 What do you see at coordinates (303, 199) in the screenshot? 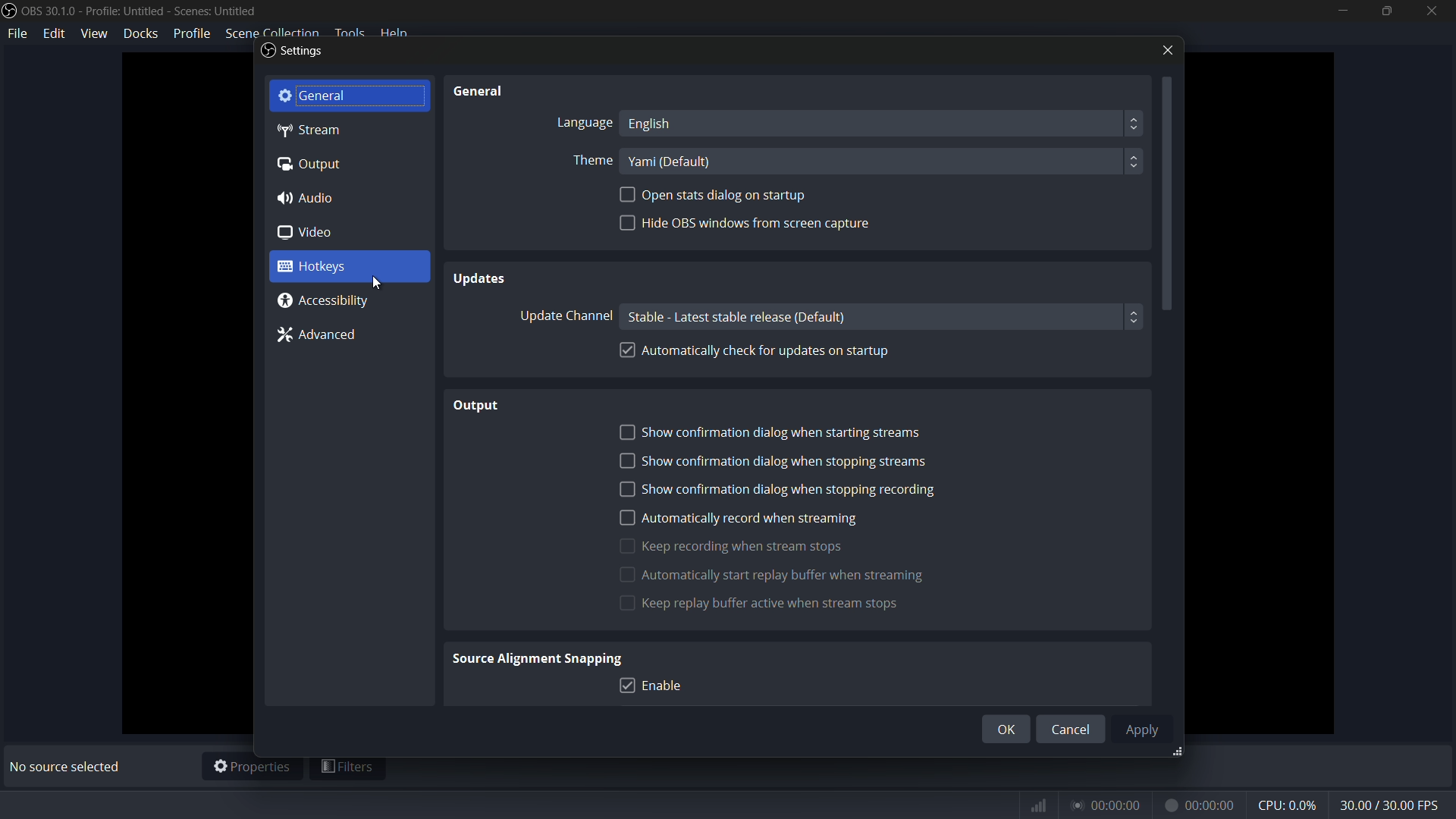
I see `audio` at bounding box center [303, 199].